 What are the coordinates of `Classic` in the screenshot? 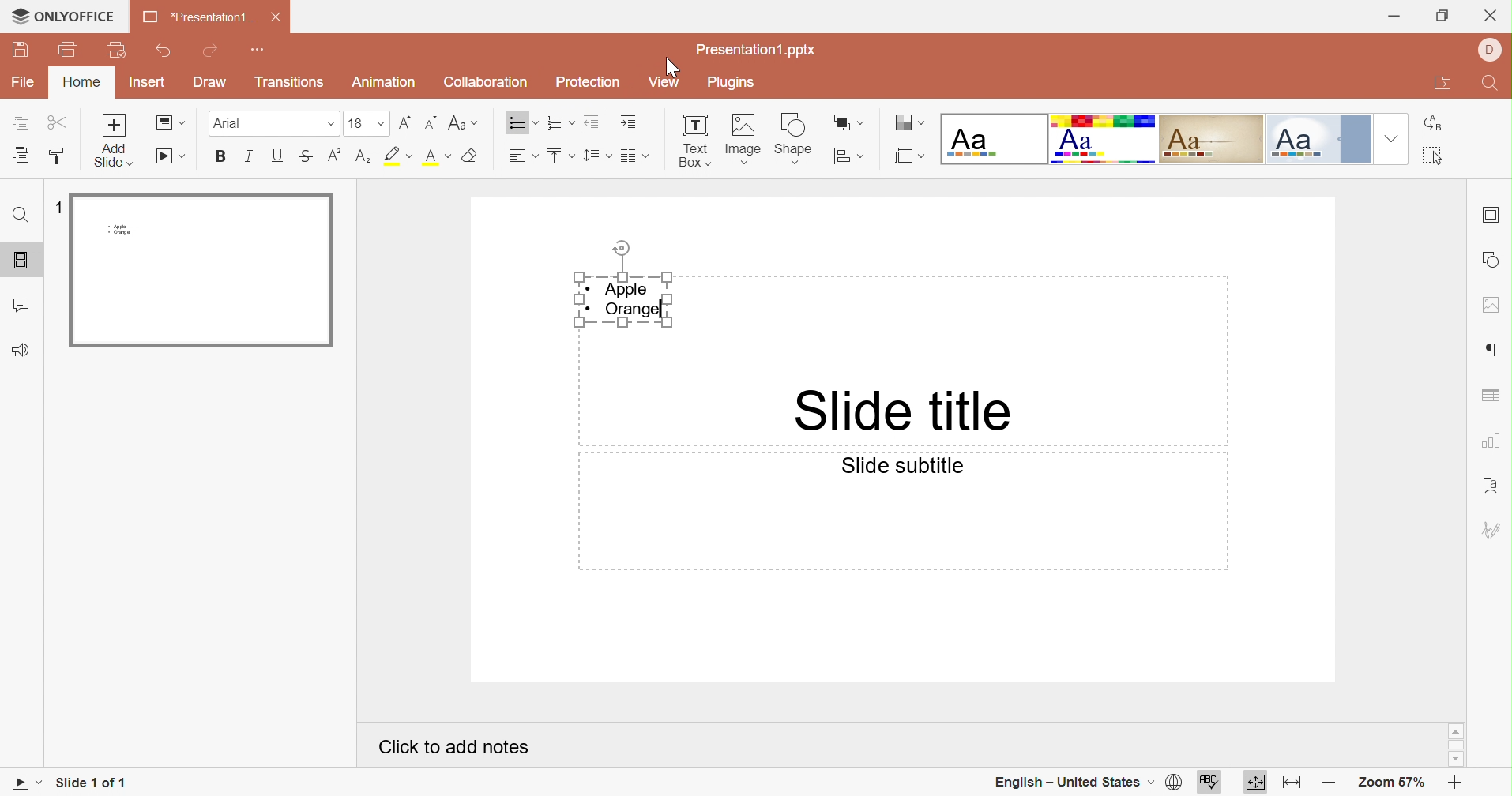 It's located at (1213, 140).